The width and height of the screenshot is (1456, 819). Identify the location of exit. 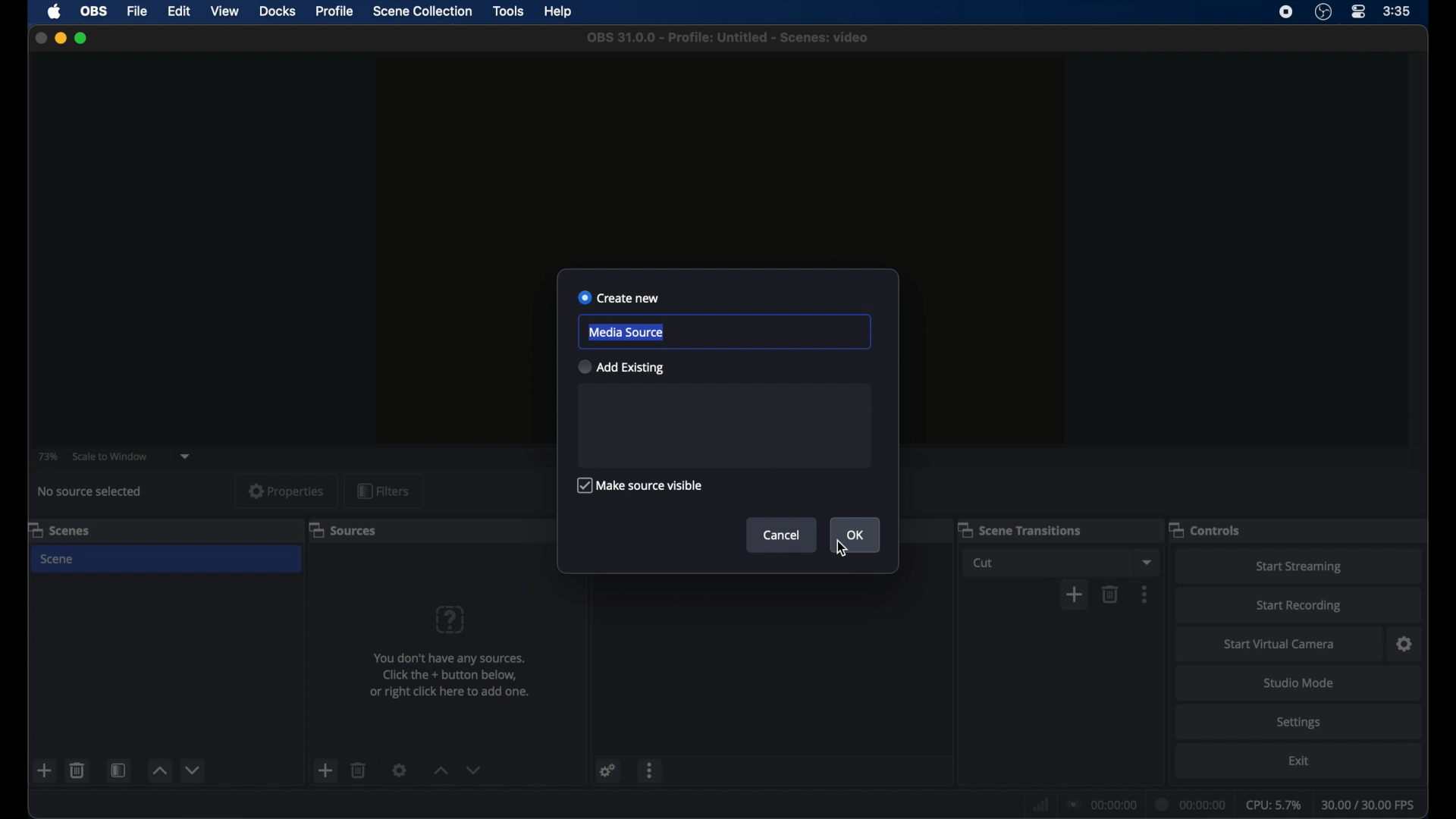
(1298, 760).